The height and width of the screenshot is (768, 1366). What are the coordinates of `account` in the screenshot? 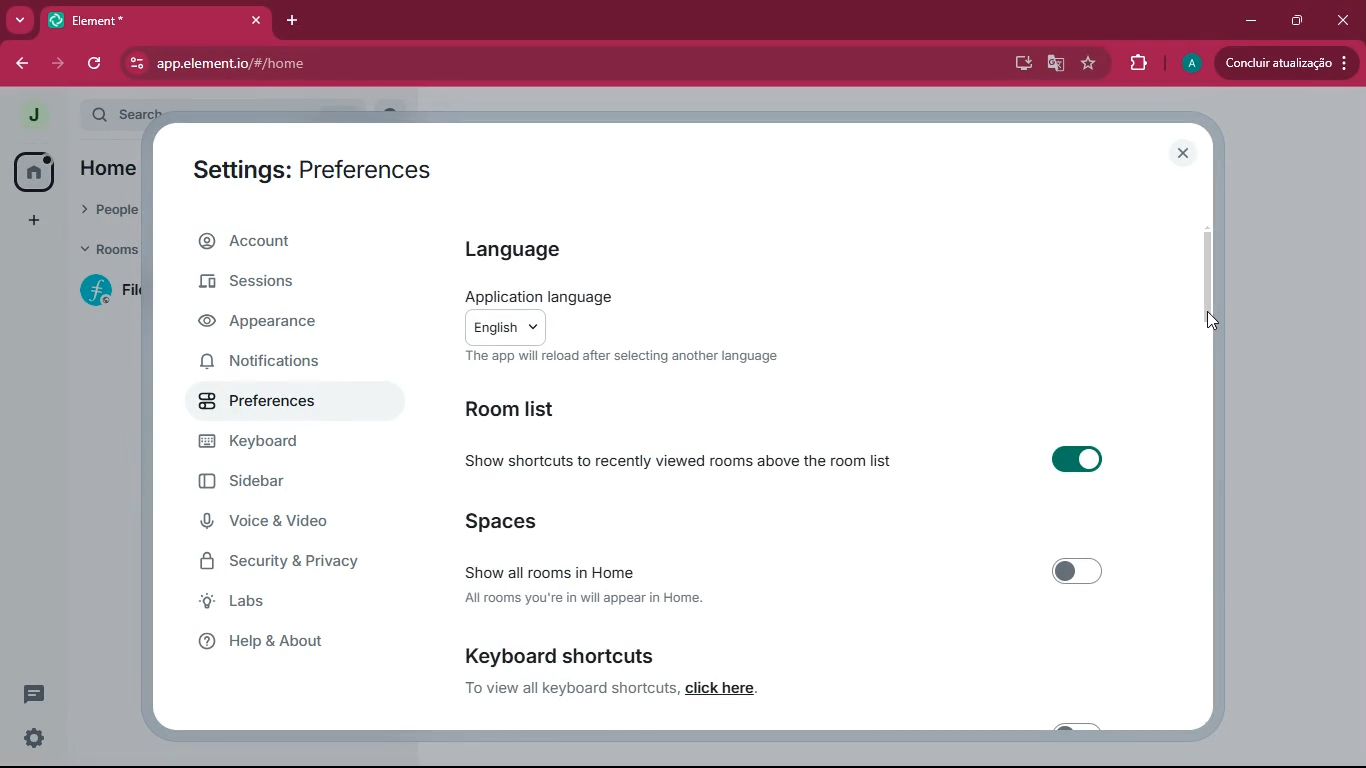 It's located at (284, 244).